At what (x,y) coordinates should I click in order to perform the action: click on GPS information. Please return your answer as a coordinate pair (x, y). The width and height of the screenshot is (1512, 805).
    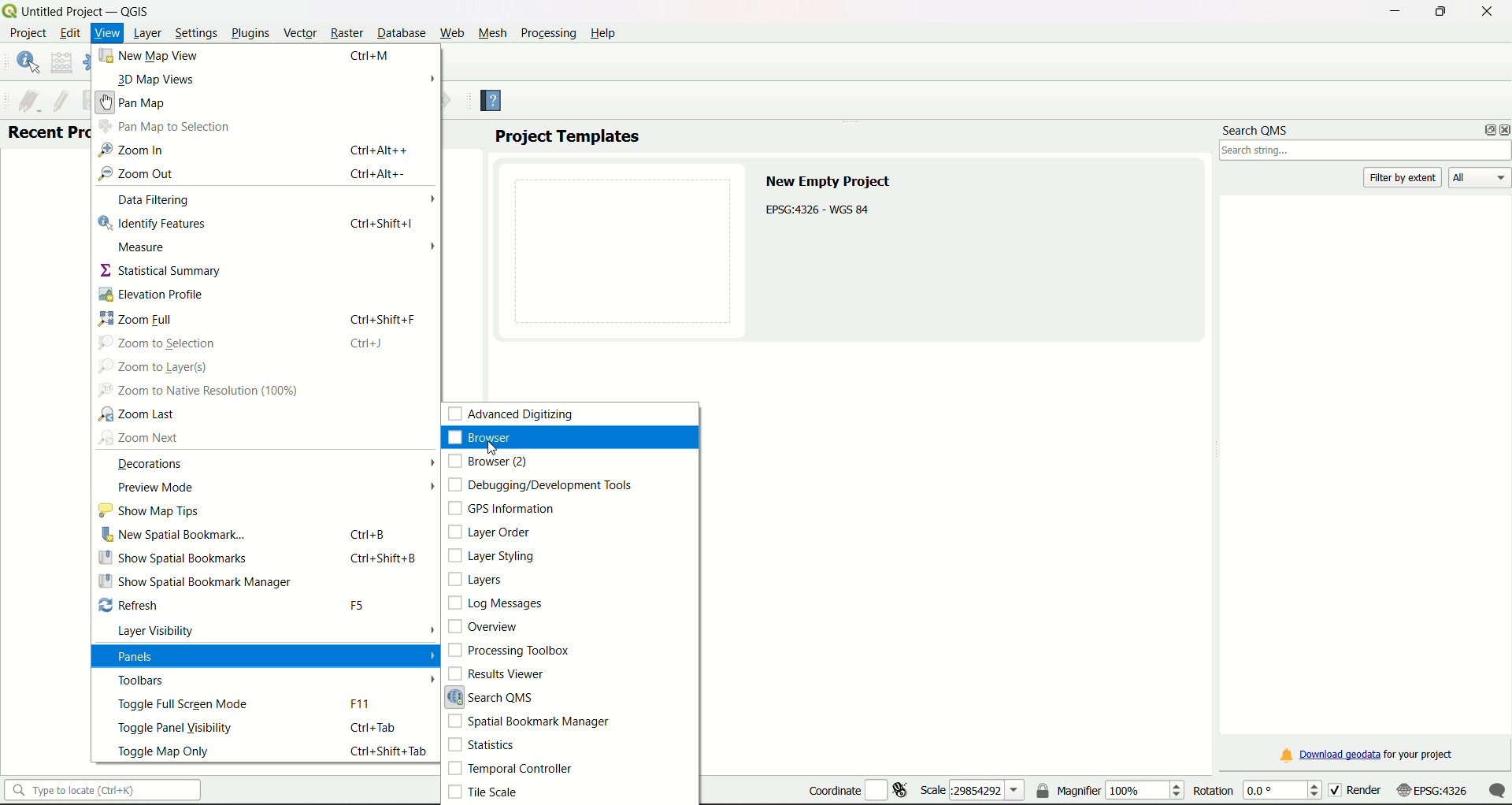
    Looking at the image, I should click on (500, 507).